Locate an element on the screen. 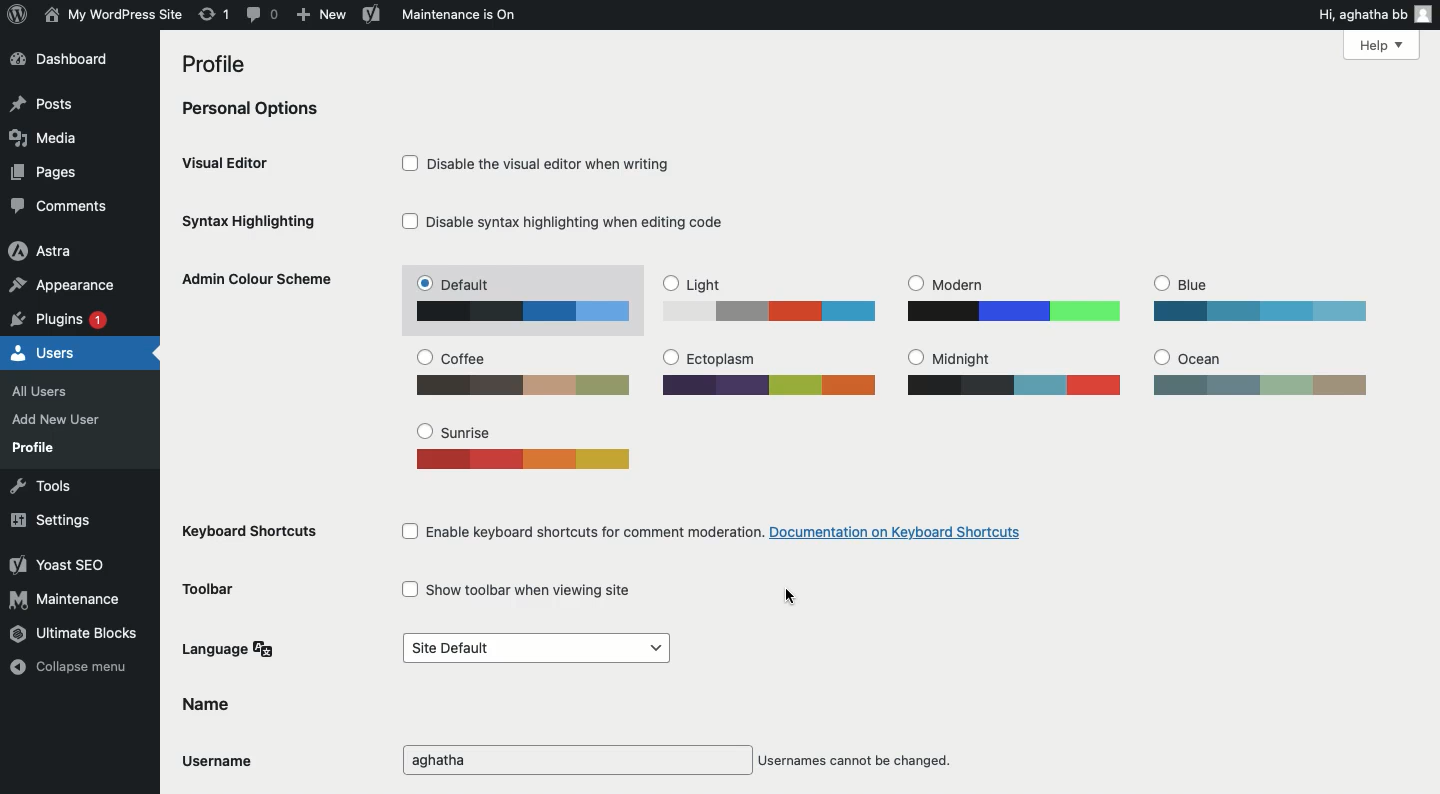 The image size is (1440, 794). Hi user is located at coordinates (1374, 15).